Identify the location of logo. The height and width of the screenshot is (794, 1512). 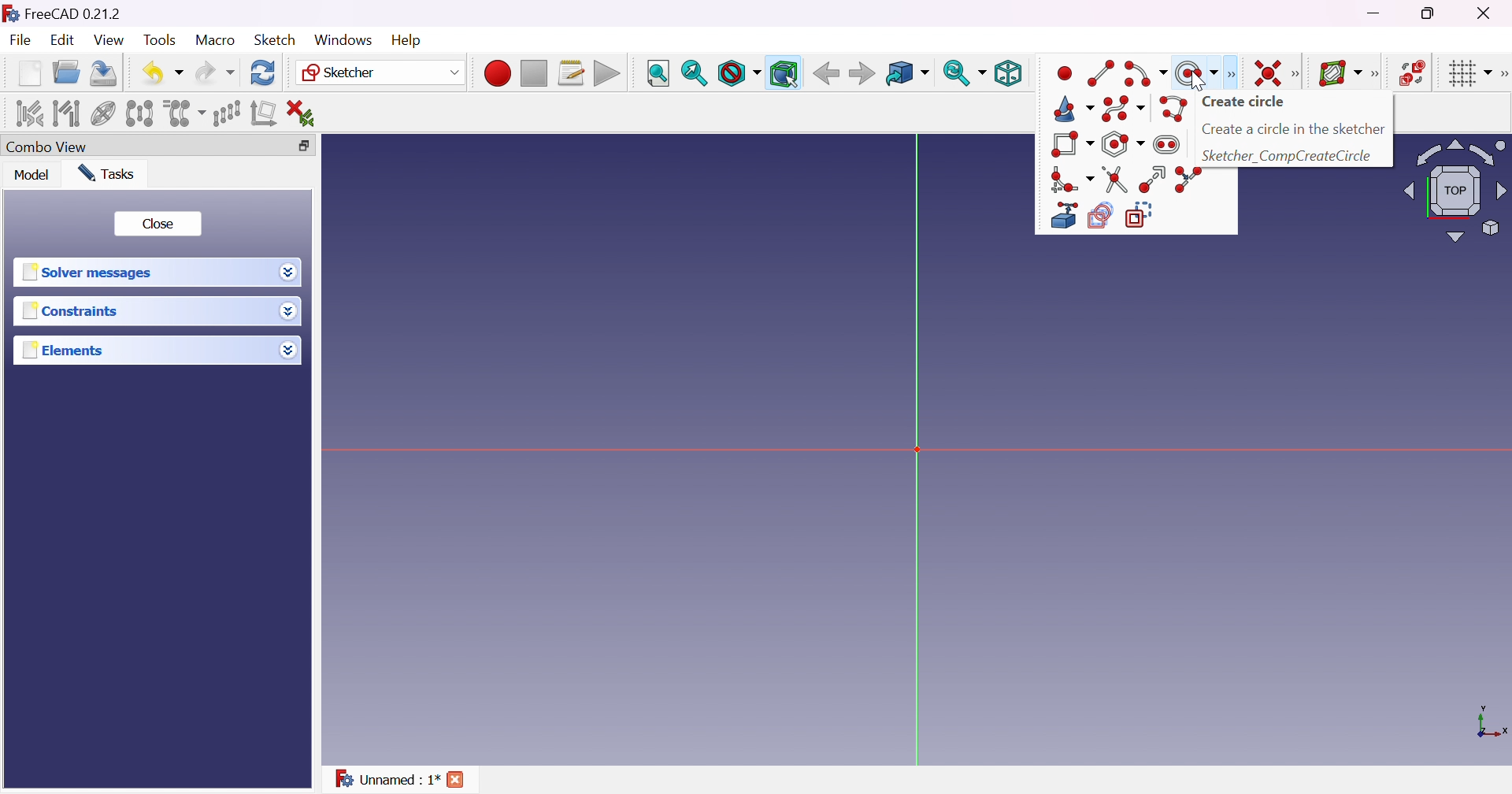
(10, 12).